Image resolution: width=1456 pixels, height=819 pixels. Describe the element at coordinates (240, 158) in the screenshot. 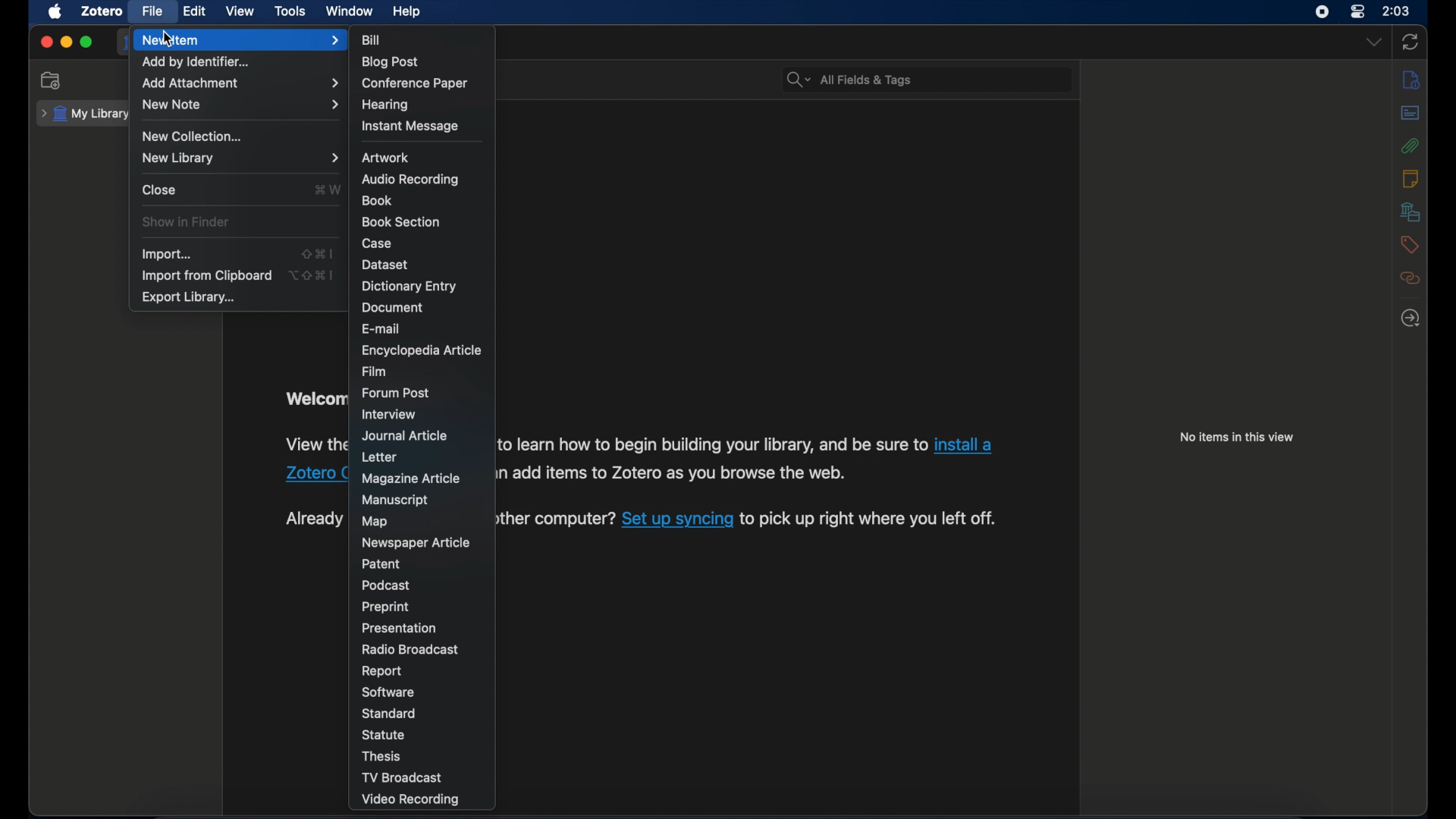

I see `new library` at that location.